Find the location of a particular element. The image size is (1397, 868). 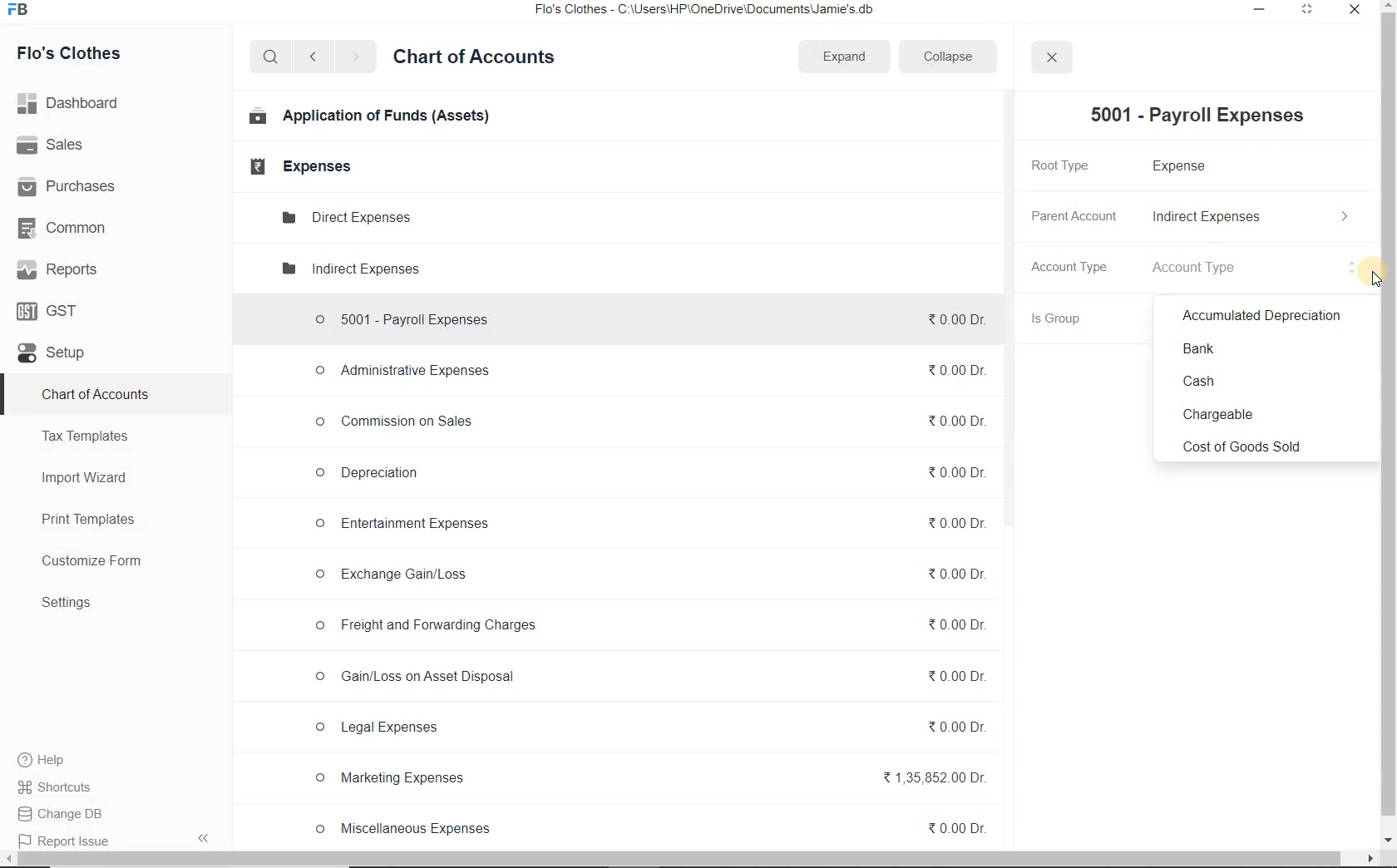

Common is located at coordinates (67, 227).